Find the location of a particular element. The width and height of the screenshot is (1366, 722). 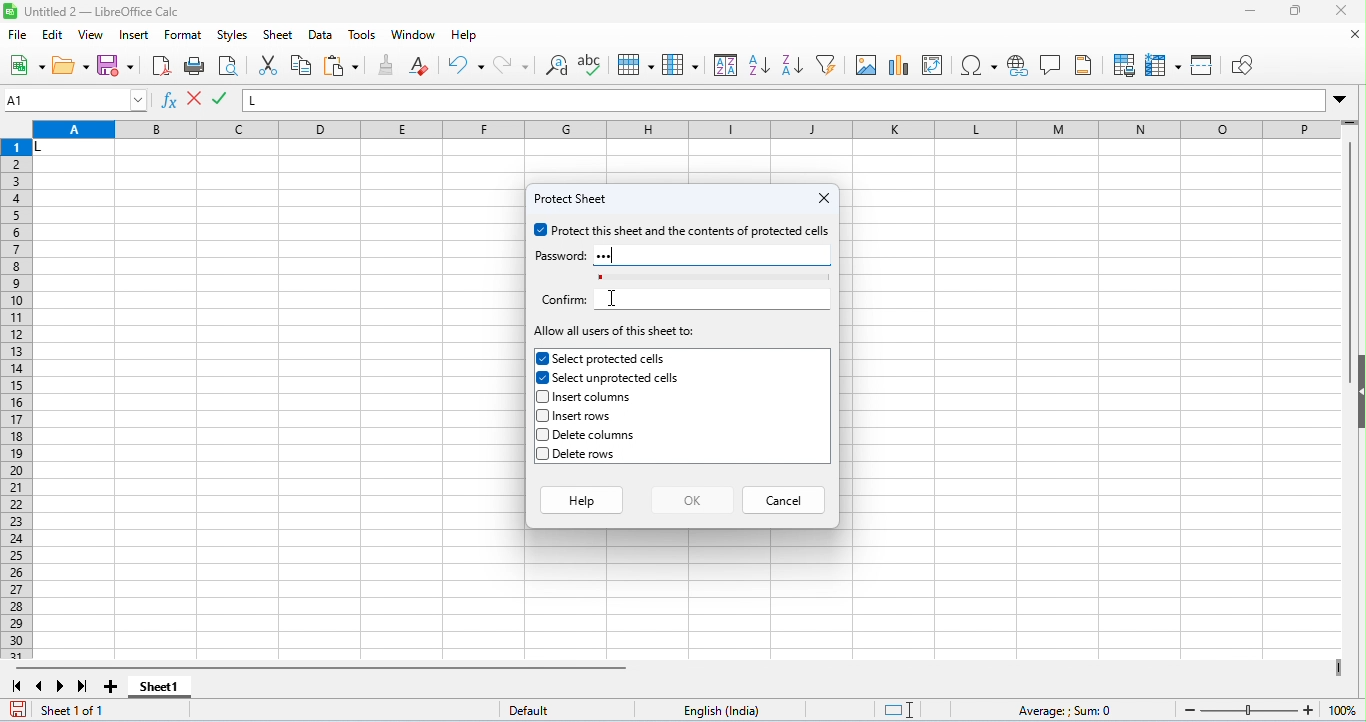

open is located at coordinates (71, 66).